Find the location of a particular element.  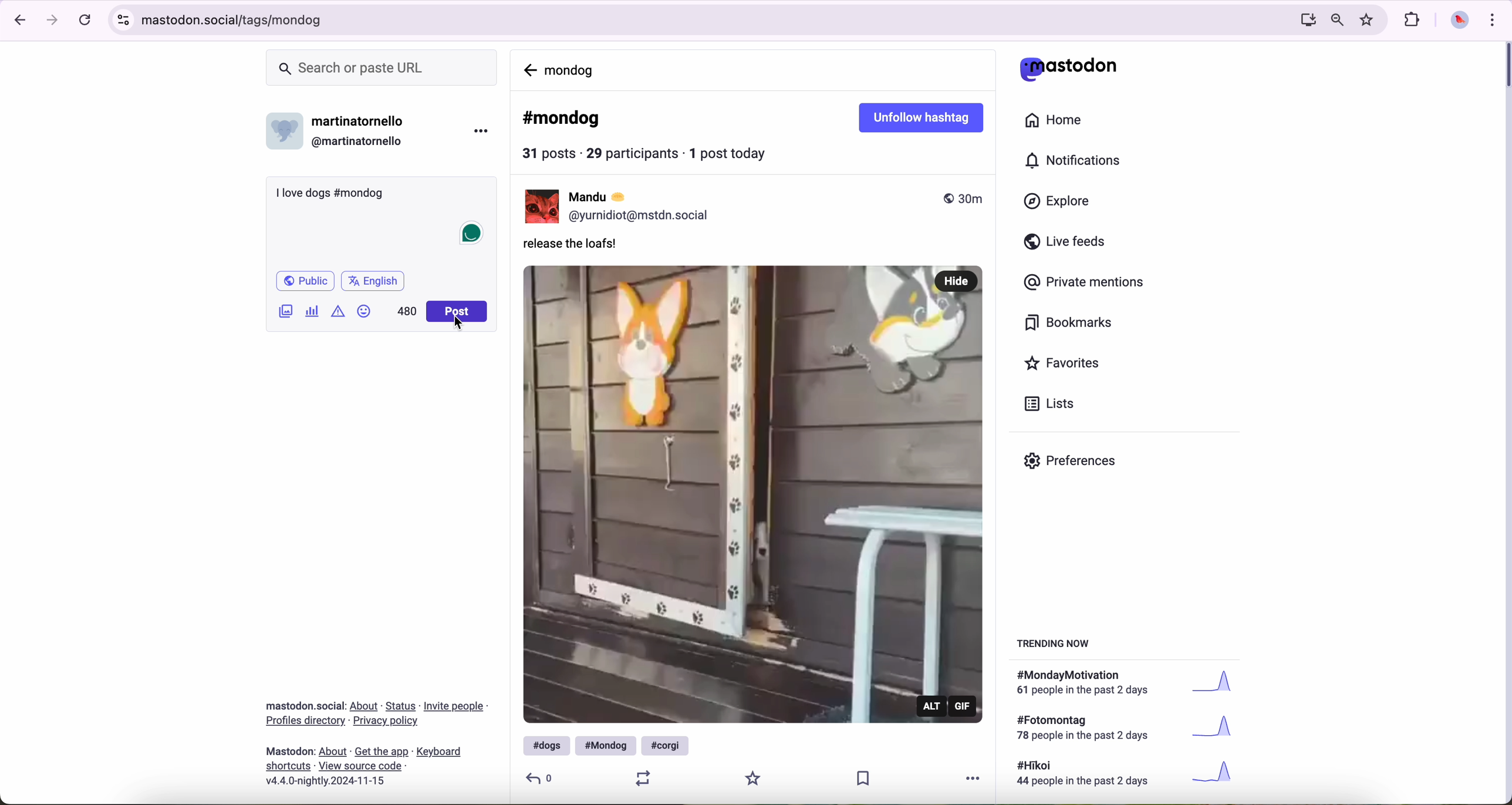

link is located at coordinates (365, 706).